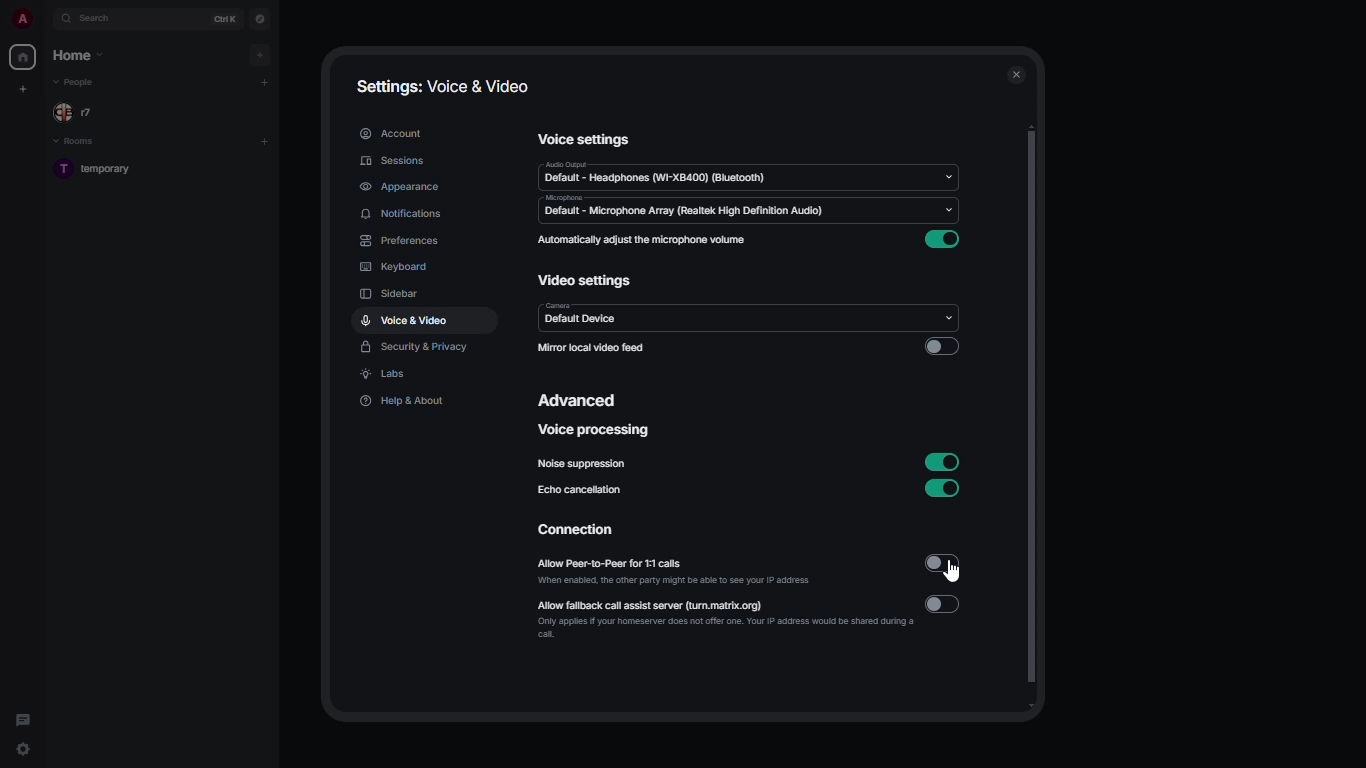 This screenshot has height=768, width=1366. What do you see at coordinates (725, 621) in the screenshot?
I see `allow fallback call assist server` at bounding box center [725, 621].